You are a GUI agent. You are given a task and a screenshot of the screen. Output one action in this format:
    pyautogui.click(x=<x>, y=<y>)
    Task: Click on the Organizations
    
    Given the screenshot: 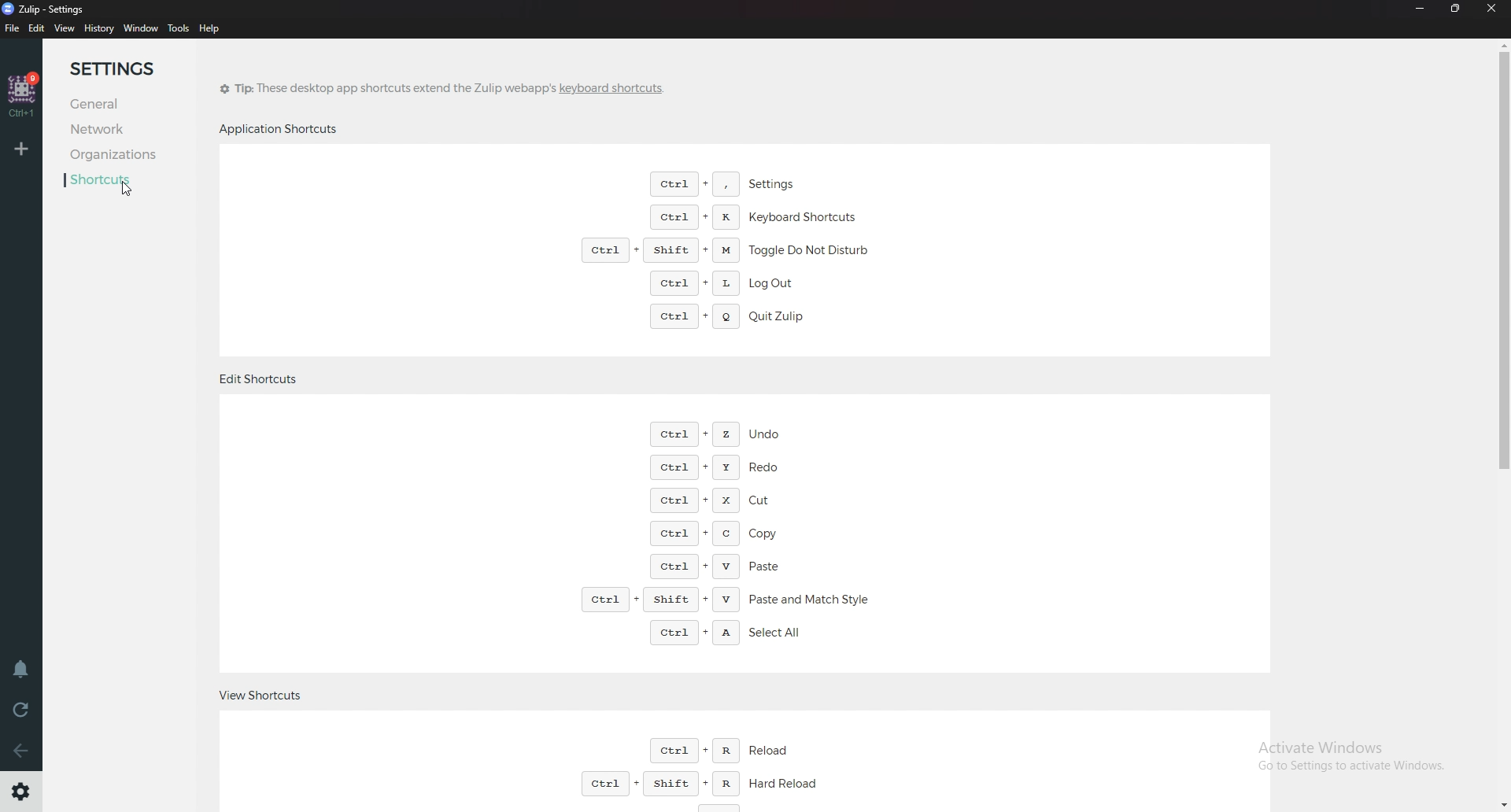 What is the action you would take?
    pyautogui.click(x=133, y=156)
    